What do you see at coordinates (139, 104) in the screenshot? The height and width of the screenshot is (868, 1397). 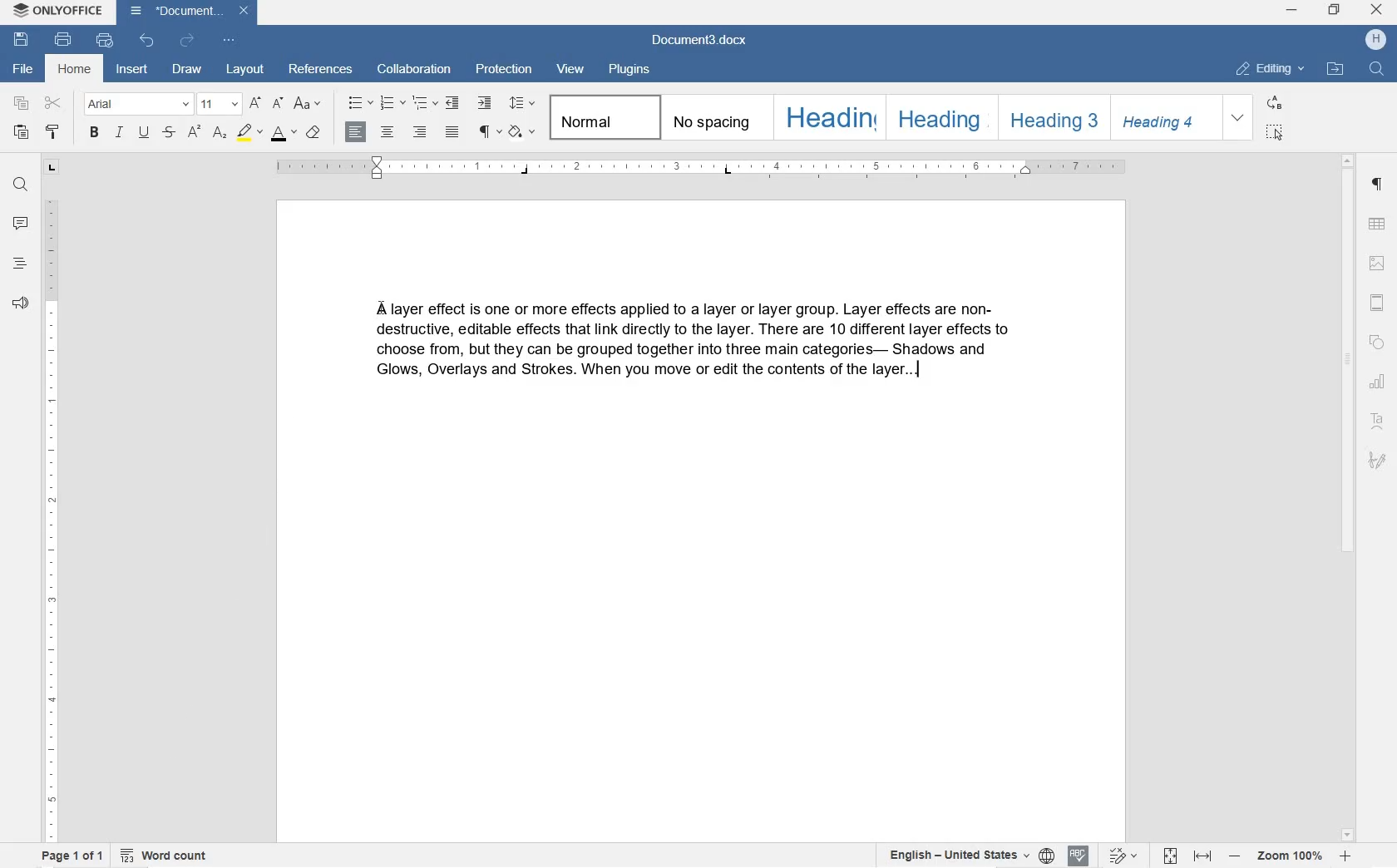 I see `FONT NAME` at bounding box center [139, 104].